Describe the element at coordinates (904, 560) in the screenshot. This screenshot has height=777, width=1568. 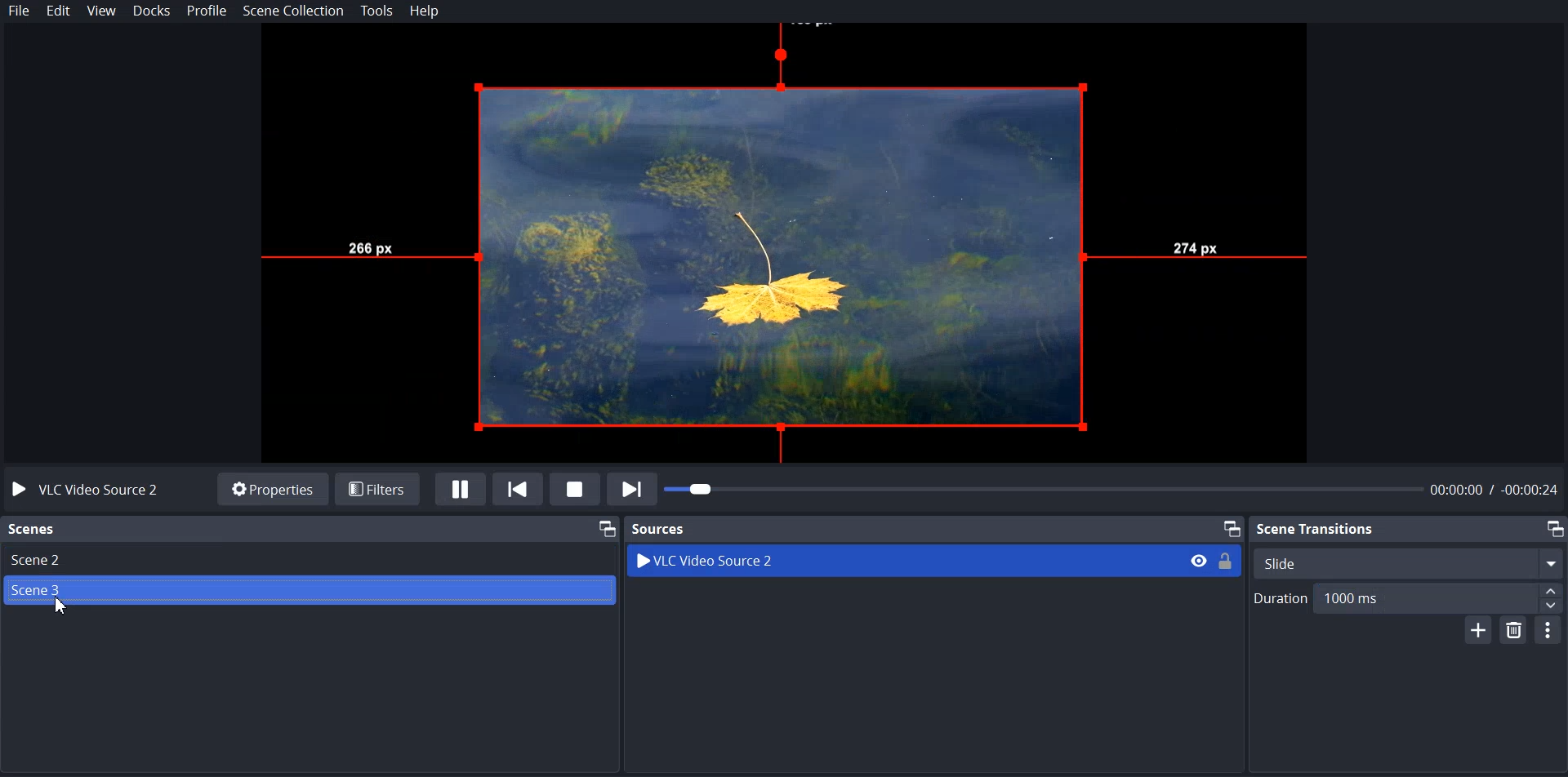
I see `VLC Video Source ` at that location.